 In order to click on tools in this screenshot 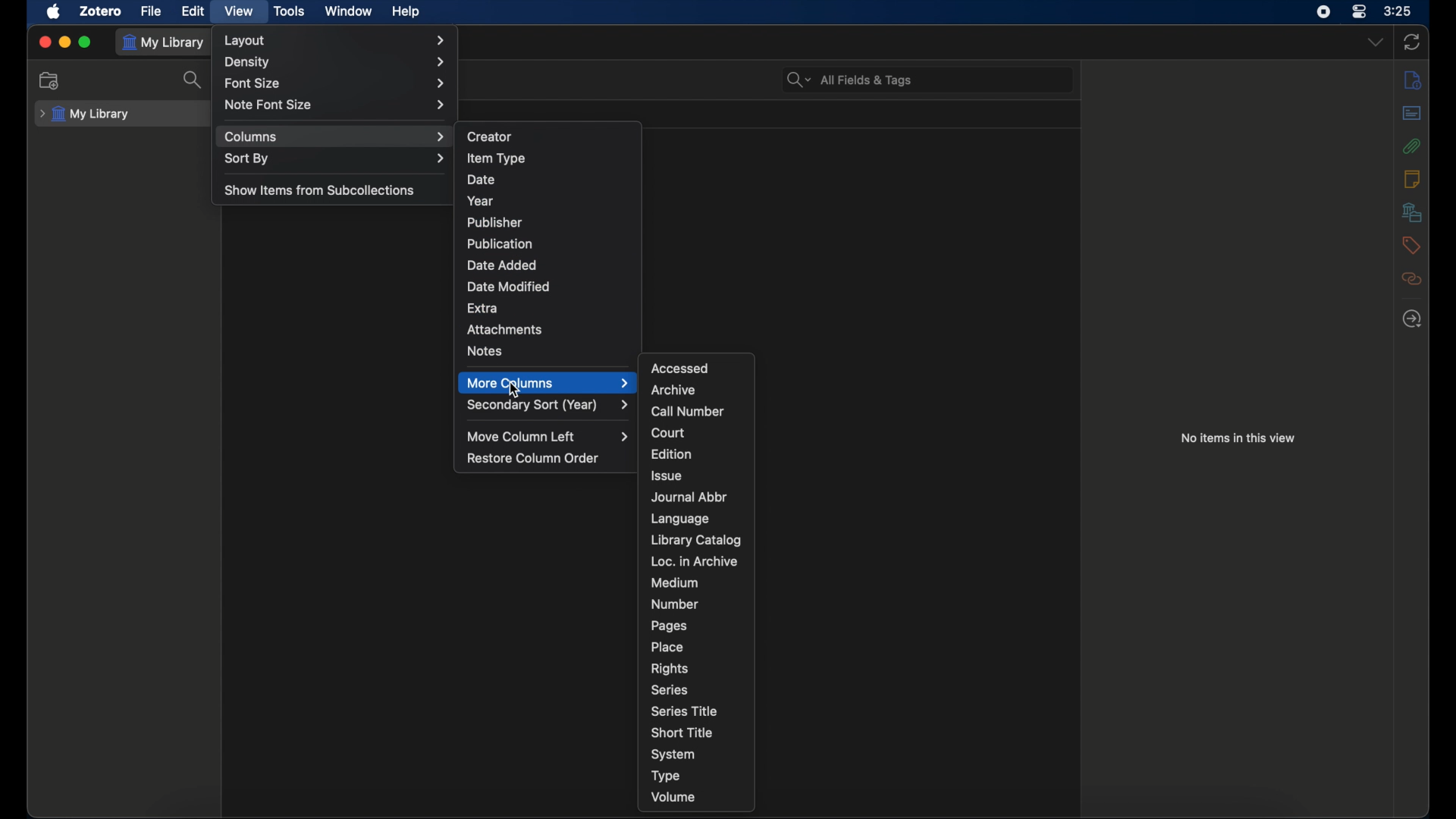, I will do `click(290, 12)`.